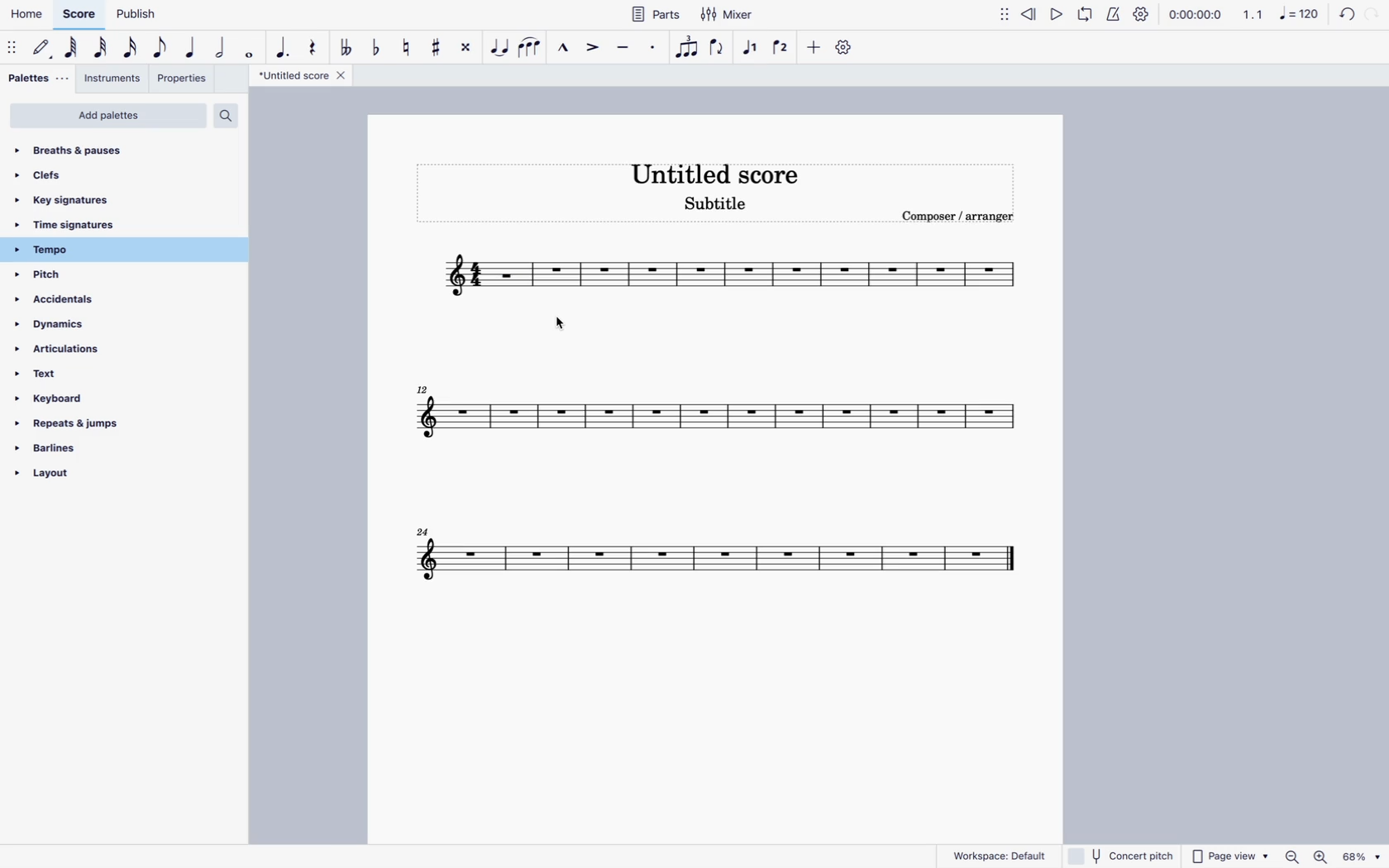 The width and height of the screenshot is (1389, 868). I want to click on more, so click(815, 46).